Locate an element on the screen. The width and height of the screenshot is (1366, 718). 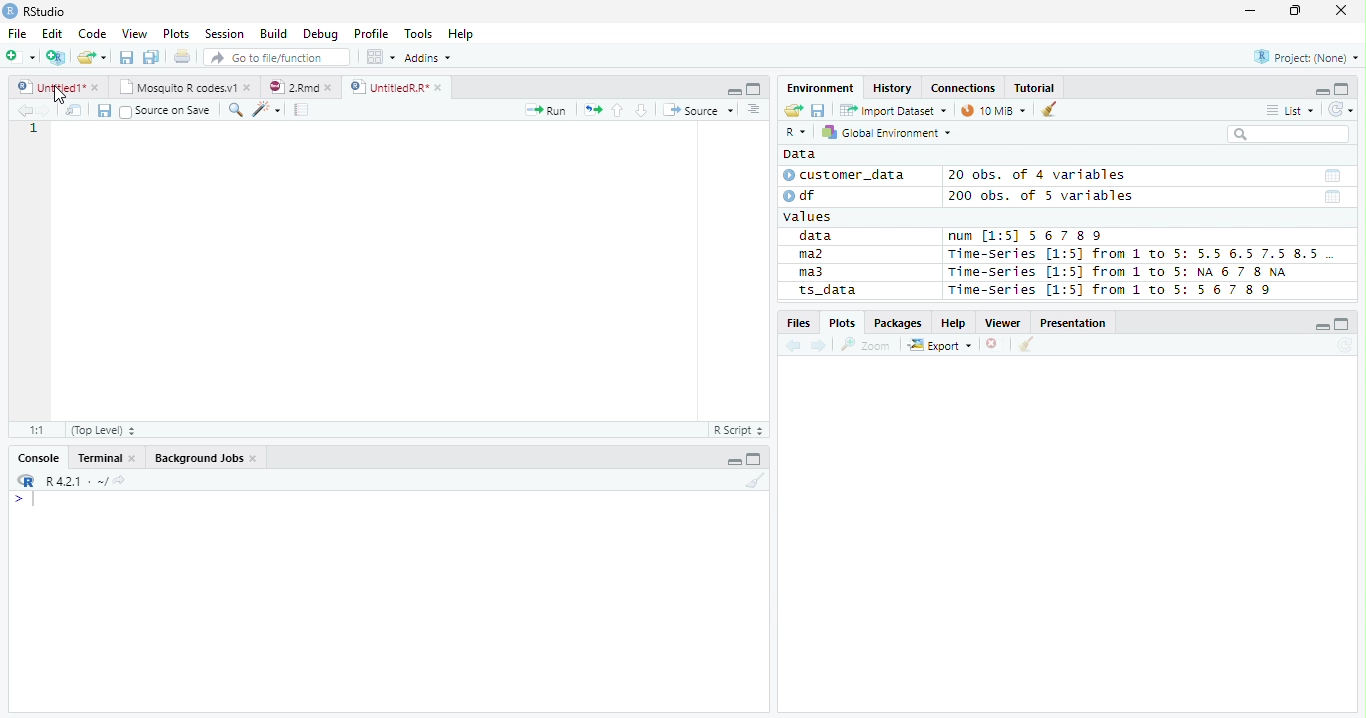
Clean is located at coordinates (1027, 344).